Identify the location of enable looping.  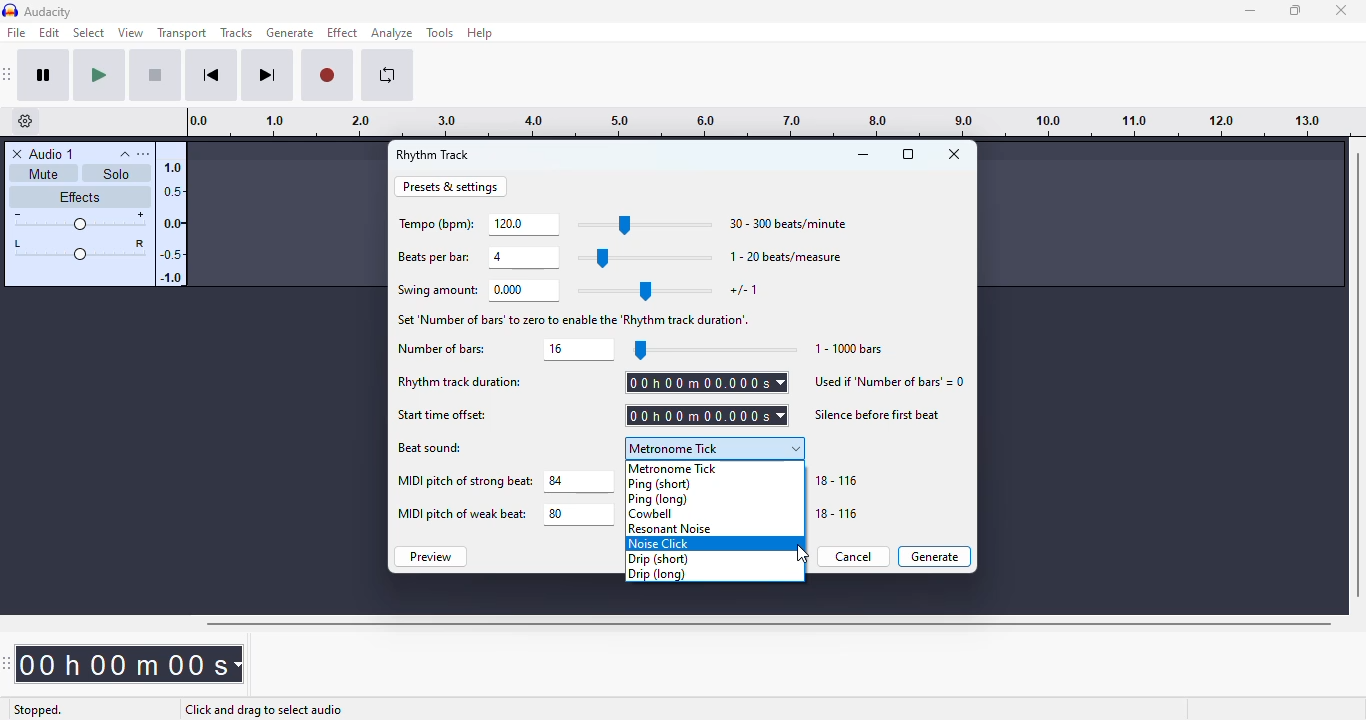
(388, 75).